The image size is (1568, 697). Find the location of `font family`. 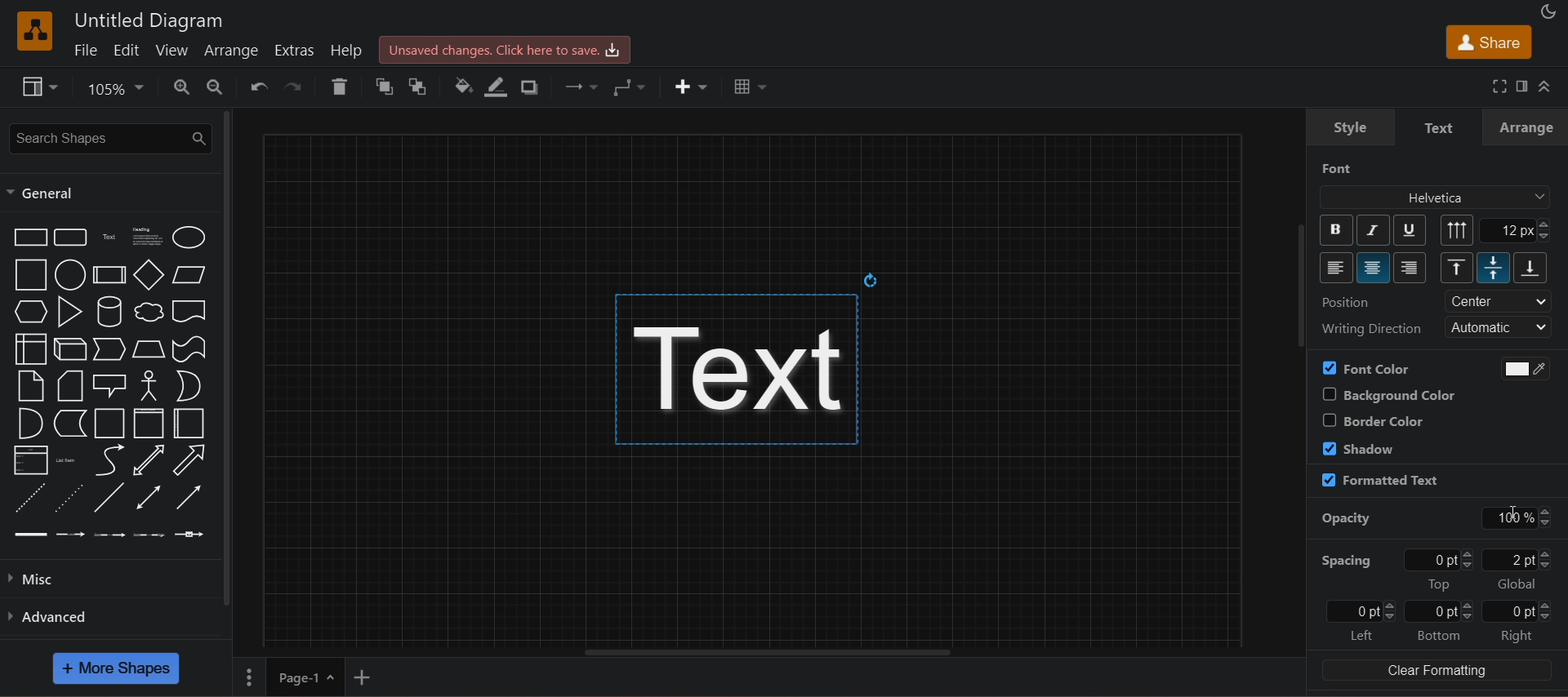

font family is located at coordinates (1437, 198).